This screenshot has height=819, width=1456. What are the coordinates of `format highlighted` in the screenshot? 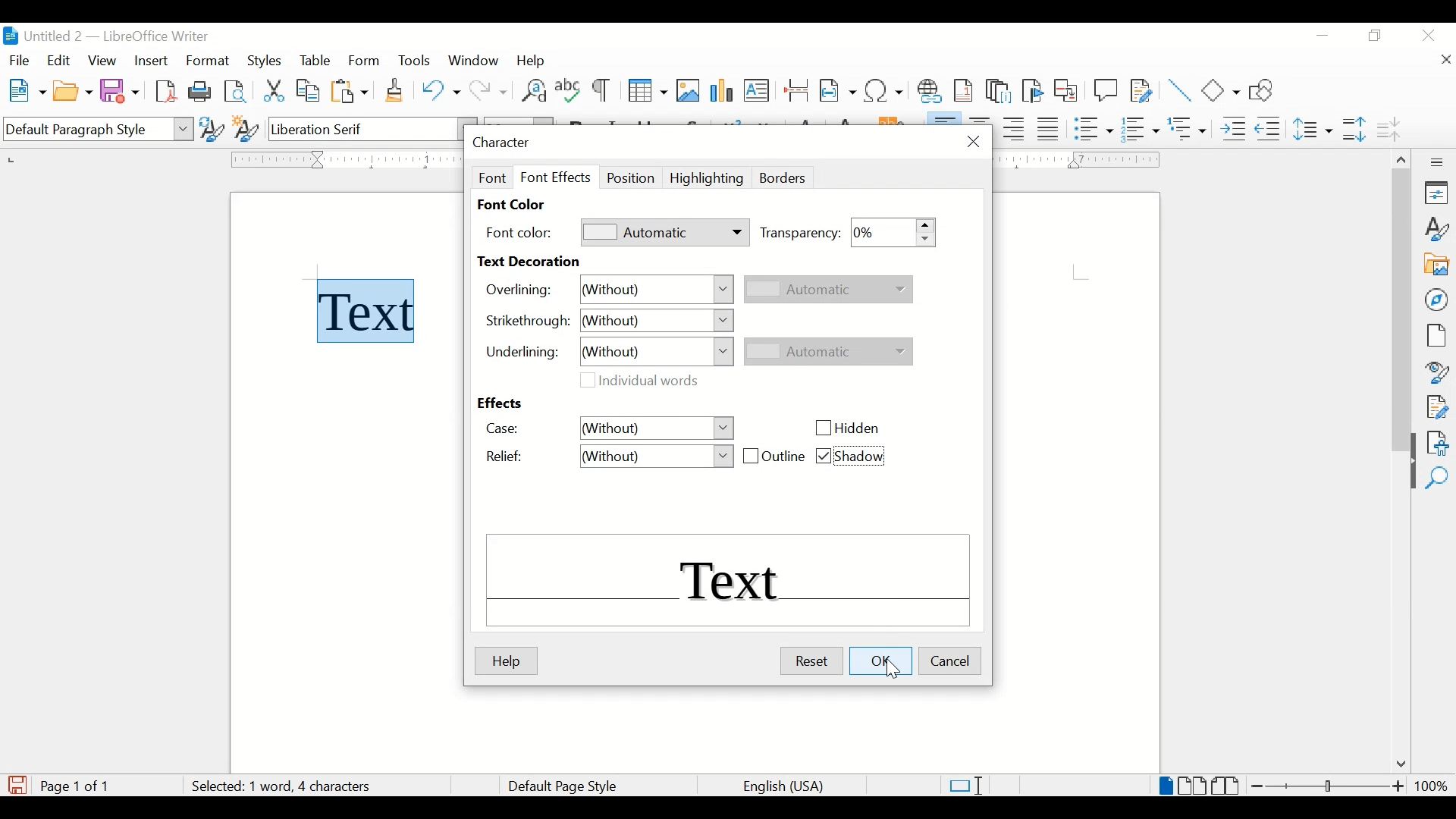 It's located at (209, 61).